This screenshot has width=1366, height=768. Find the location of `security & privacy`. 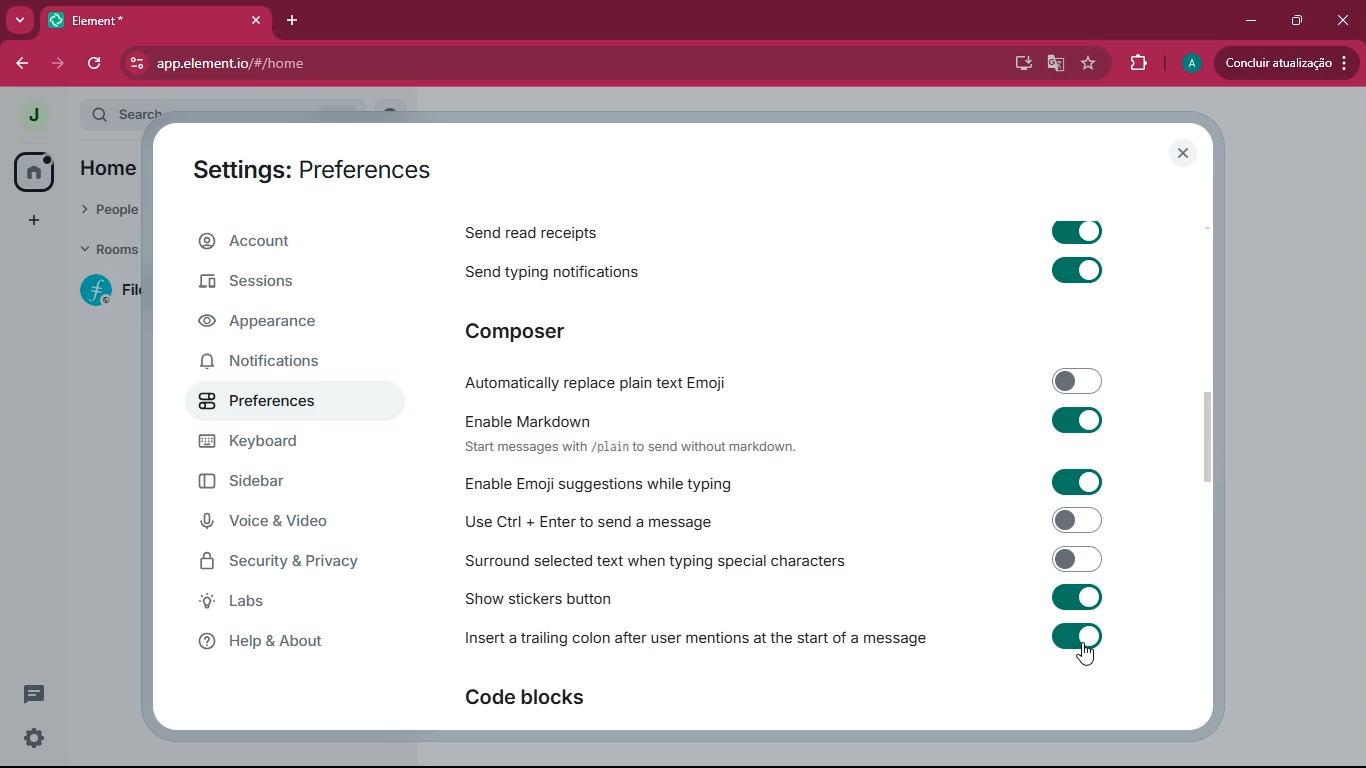

security & privacy is located at coordinates (287, 562).